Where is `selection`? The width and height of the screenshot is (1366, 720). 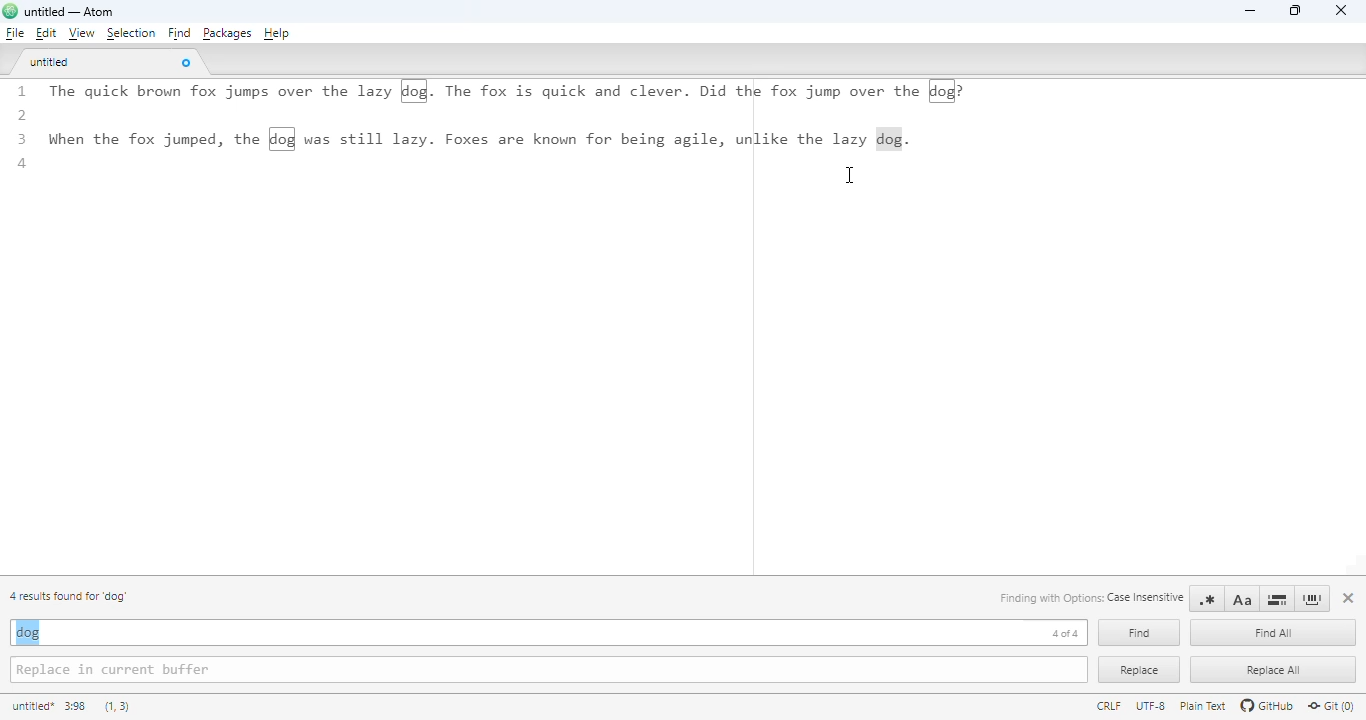 selection is located at coordinates (130, 34).